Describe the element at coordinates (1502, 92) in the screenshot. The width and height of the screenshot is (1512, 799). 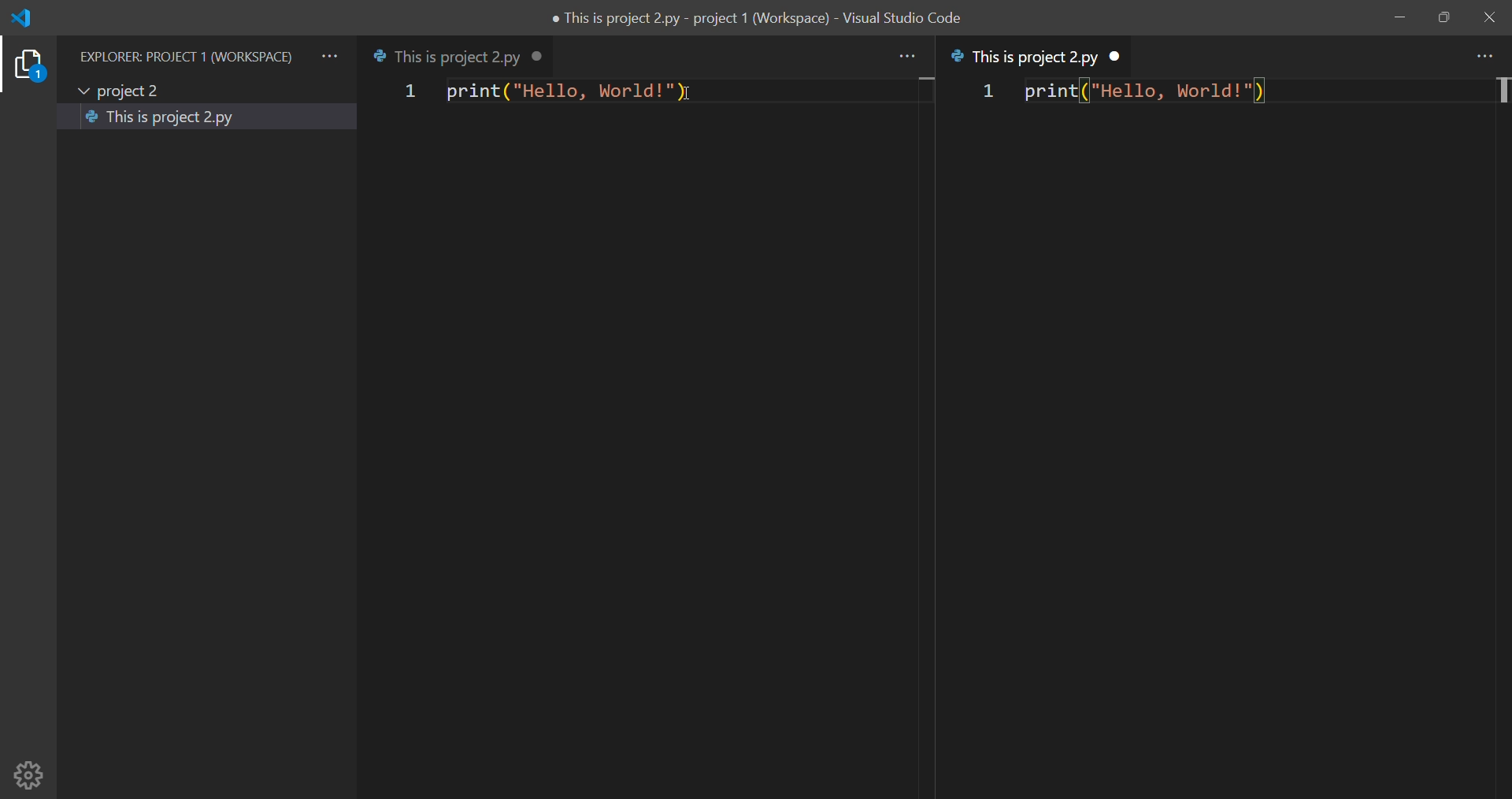
I see `cursor in which line` at that location.